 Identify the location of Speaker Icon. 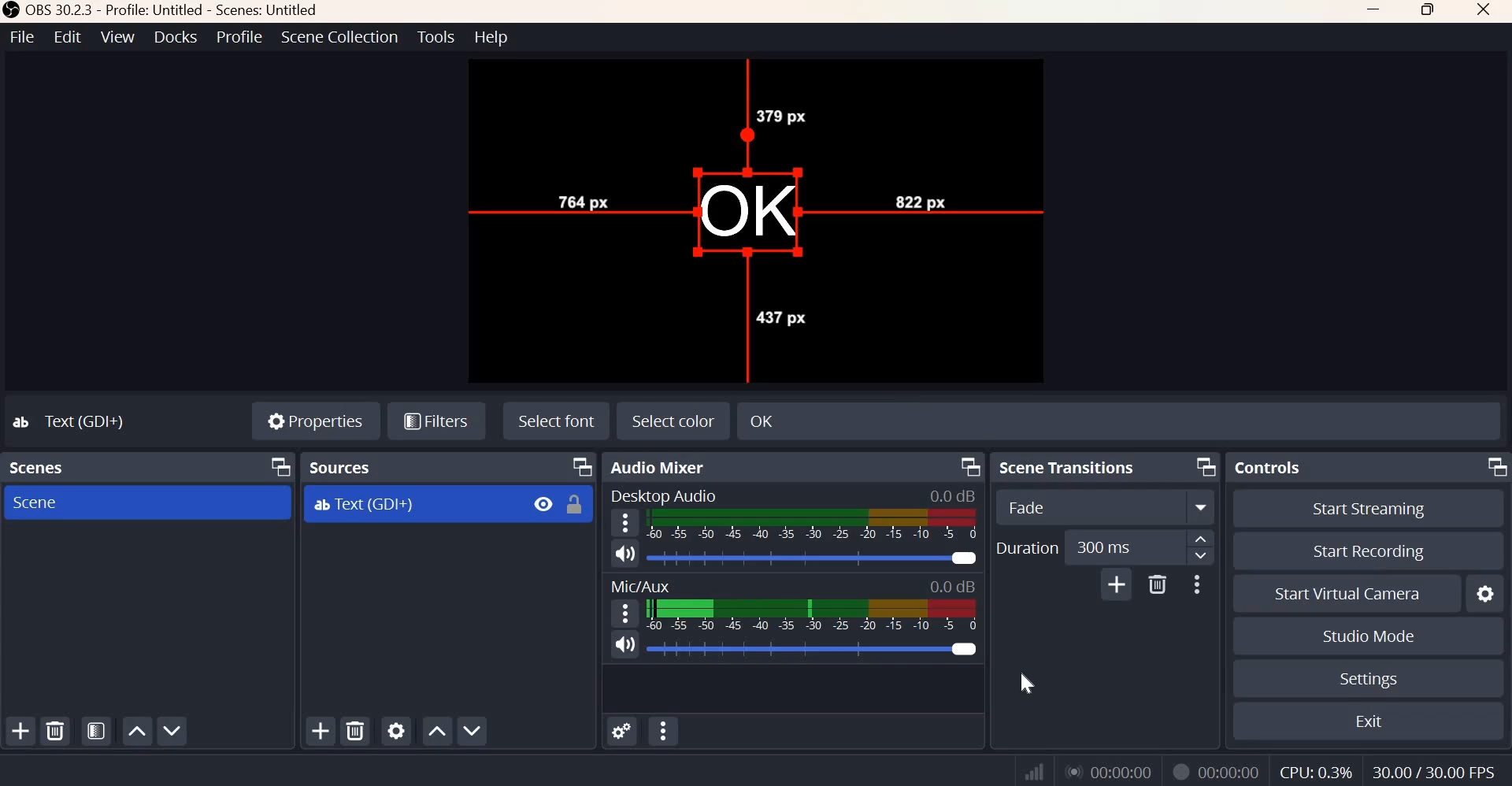
(625, 553).